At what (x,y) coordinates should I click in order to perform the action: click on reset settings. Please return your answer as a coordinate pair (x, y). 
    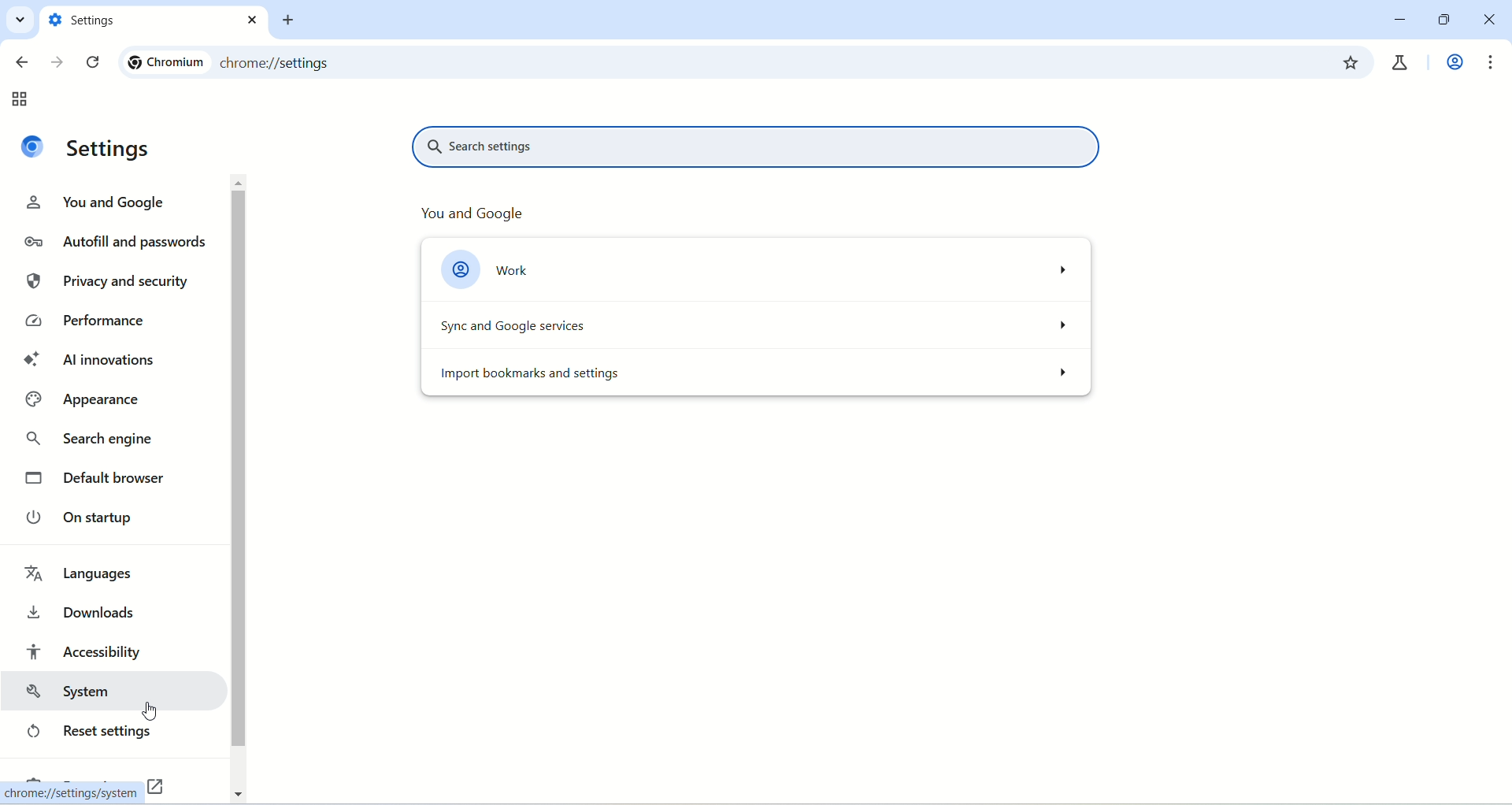
    Looking at the image, I should click on (92, 733).